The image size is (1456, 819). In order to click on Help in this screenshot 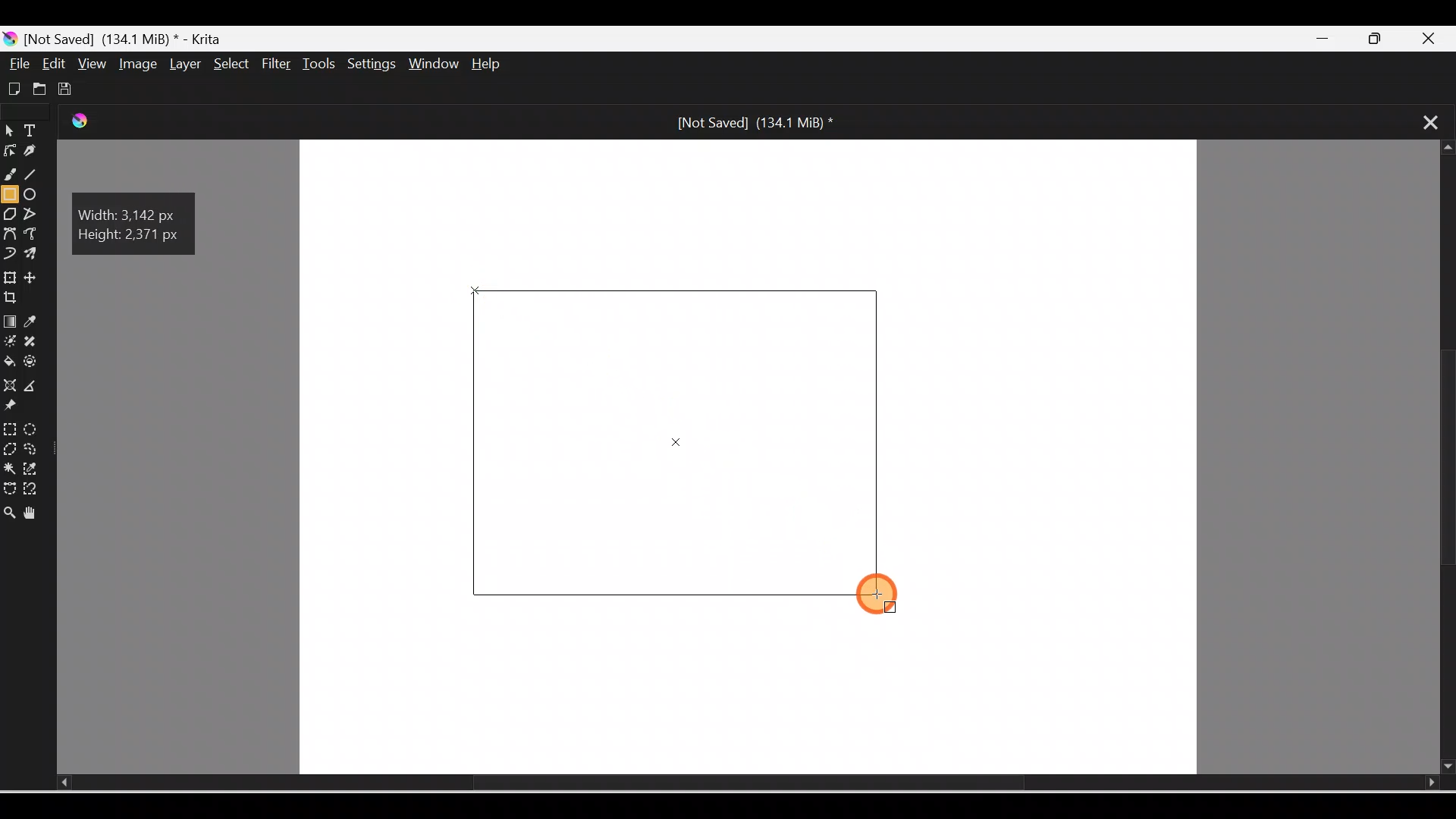, I will do `click(499, 65)`.